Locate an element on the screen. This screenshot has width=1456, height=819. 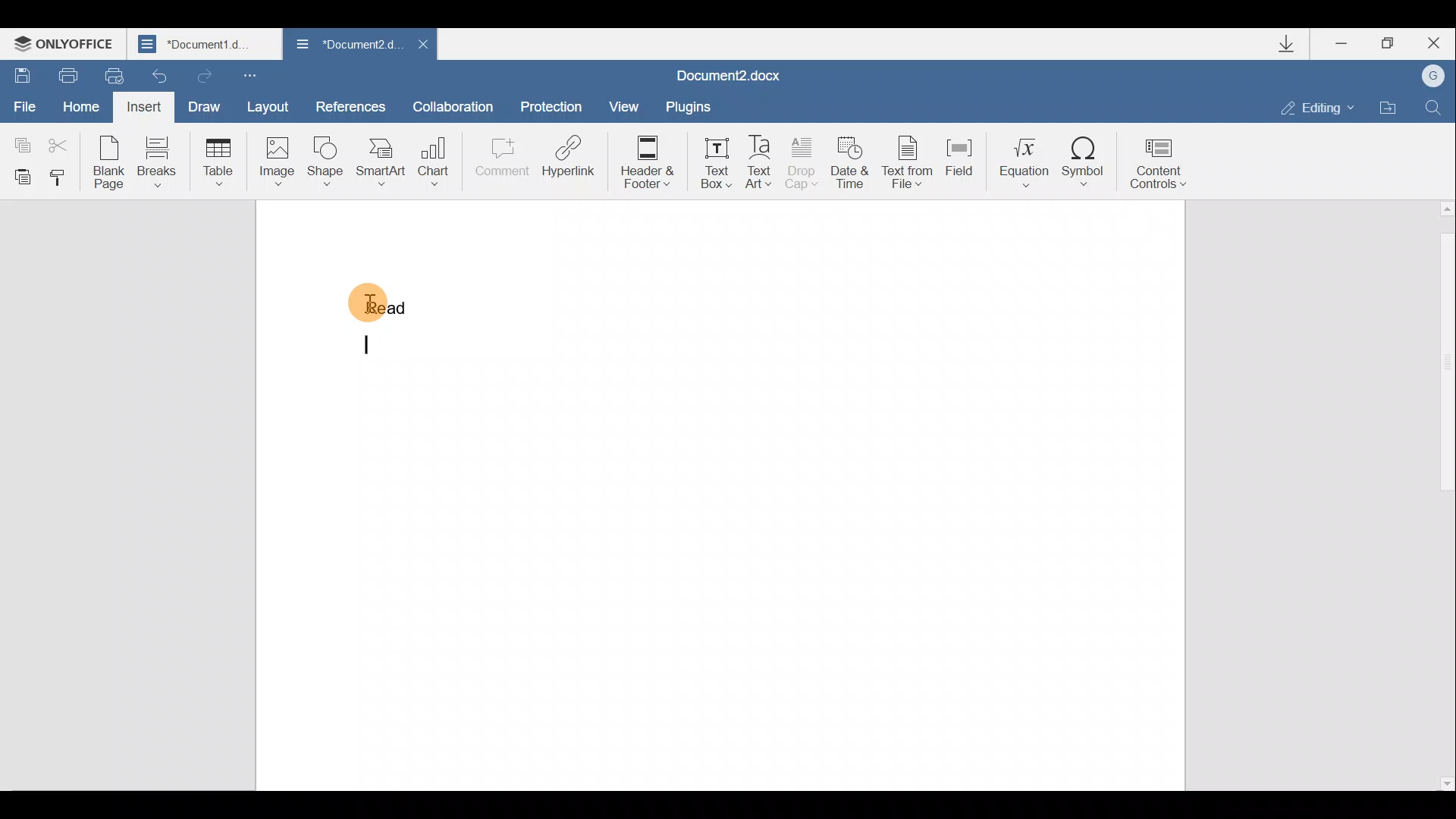
Print file is located at coordinates (67, 73).